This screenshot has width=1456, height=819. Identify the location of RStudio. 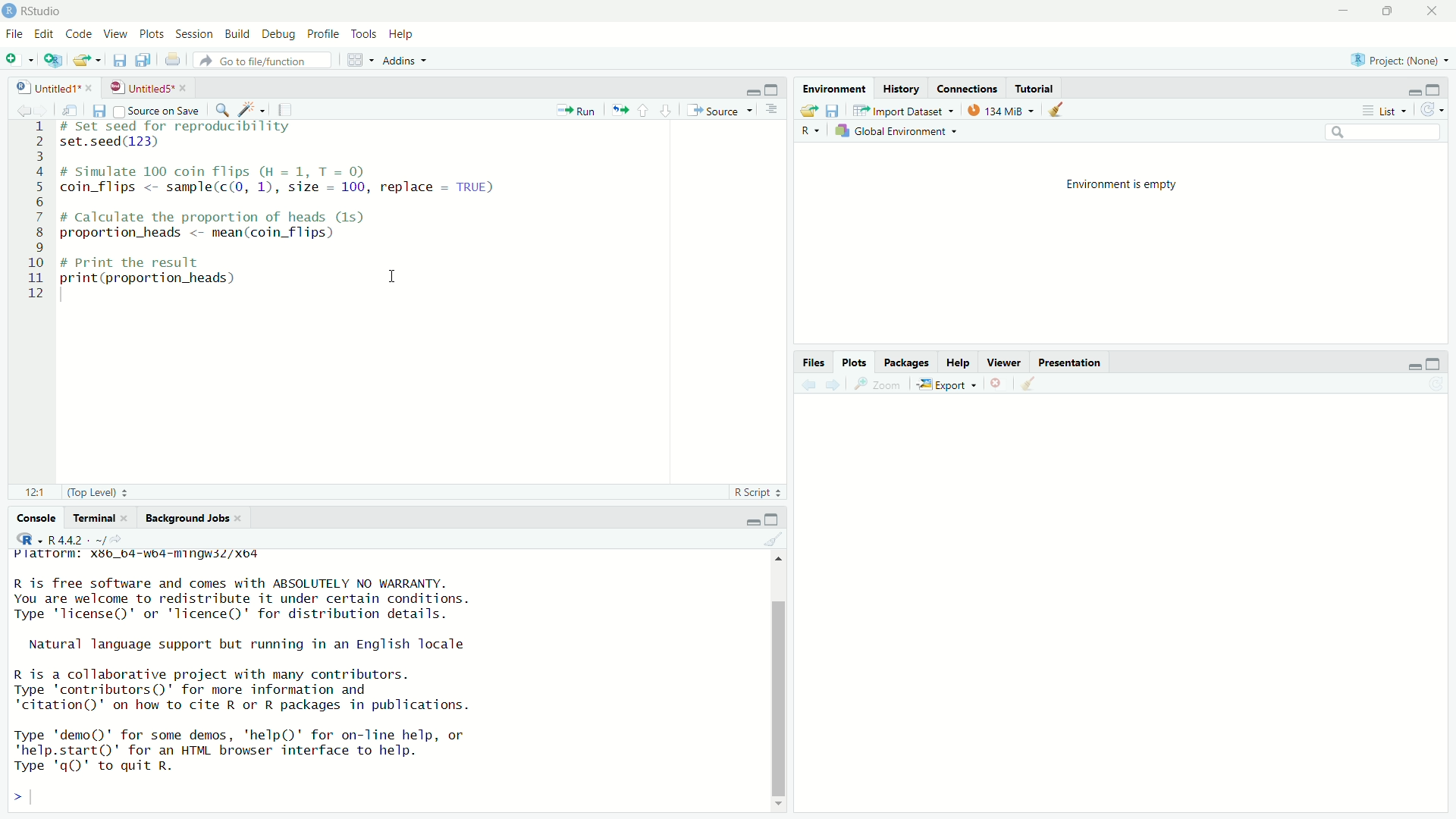
(43, 9).